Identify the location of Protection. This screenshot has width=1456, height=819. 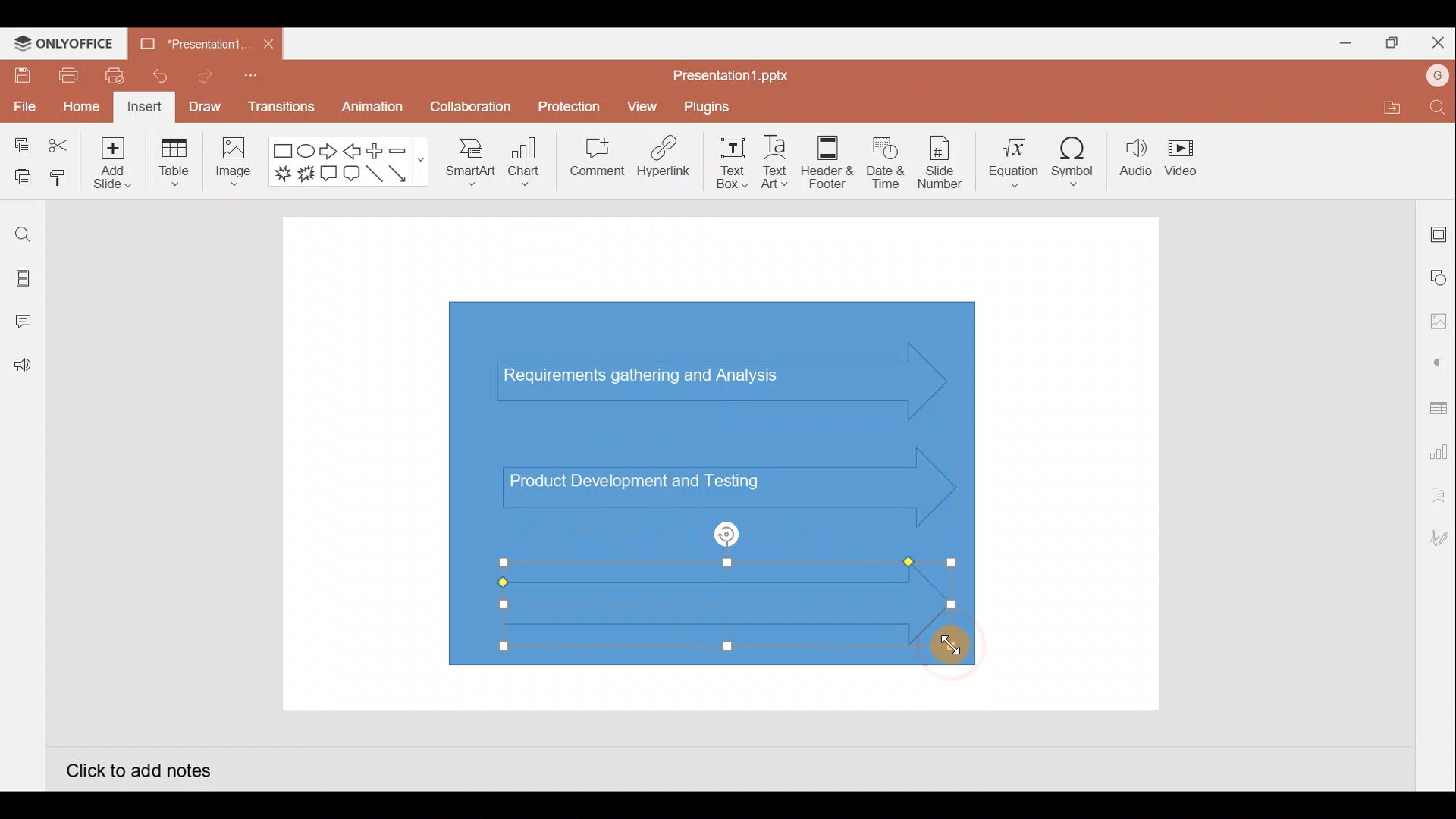
(565, 107).